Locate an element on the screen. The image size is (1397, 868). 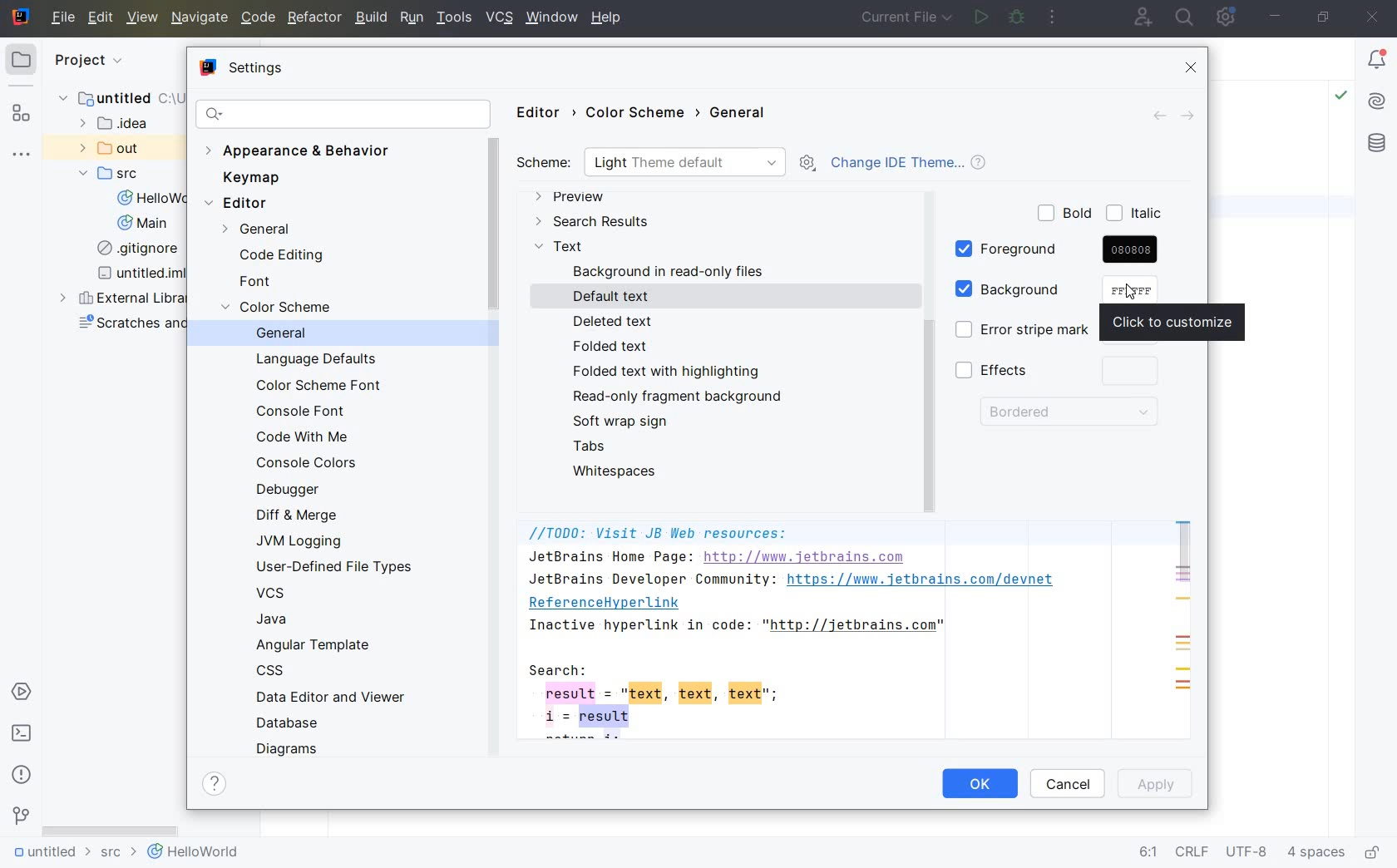
restore down is located at coordinates (1325, 18).